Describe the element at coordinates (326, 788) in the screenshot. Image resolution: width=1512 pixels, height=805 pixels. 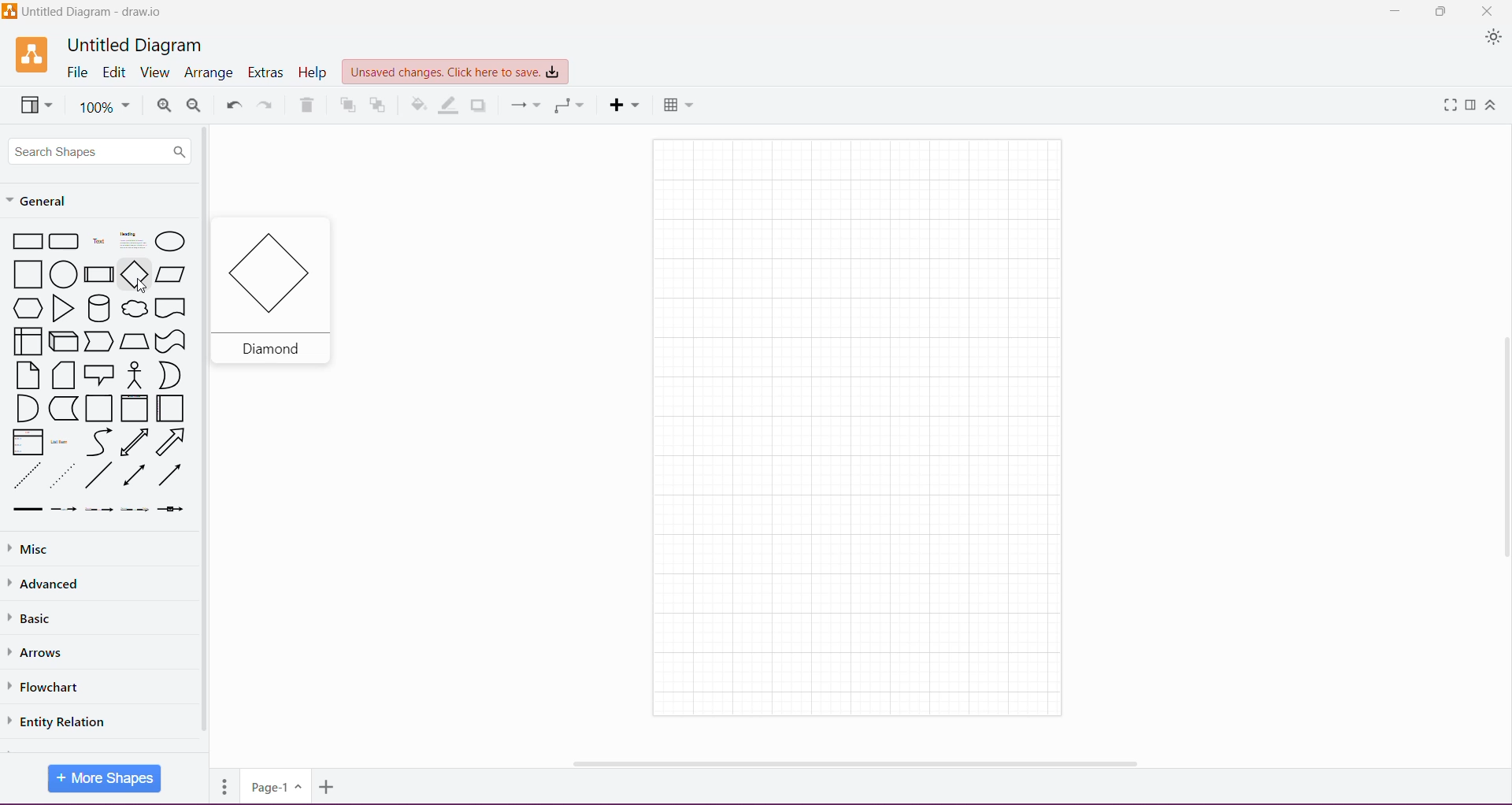
I see `Insert Page` at that location.